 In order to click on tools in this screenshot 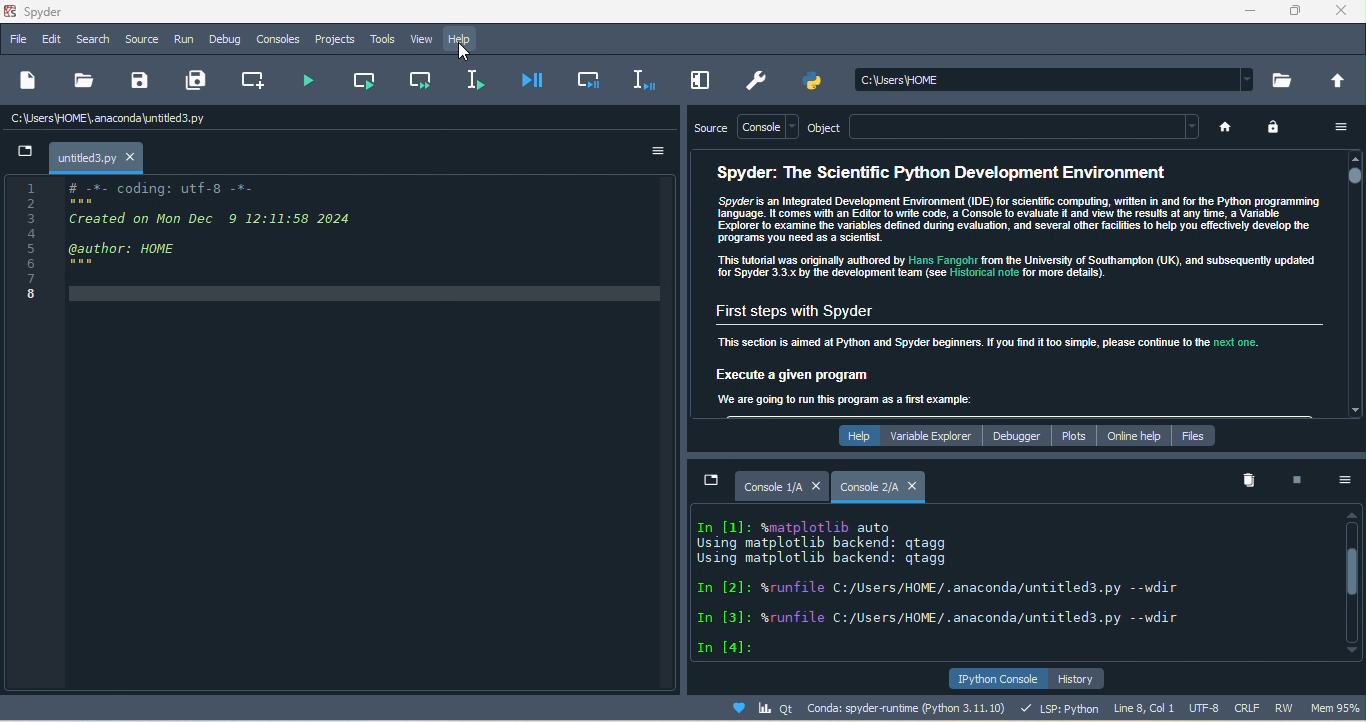, I will do `click(384, 39)`.